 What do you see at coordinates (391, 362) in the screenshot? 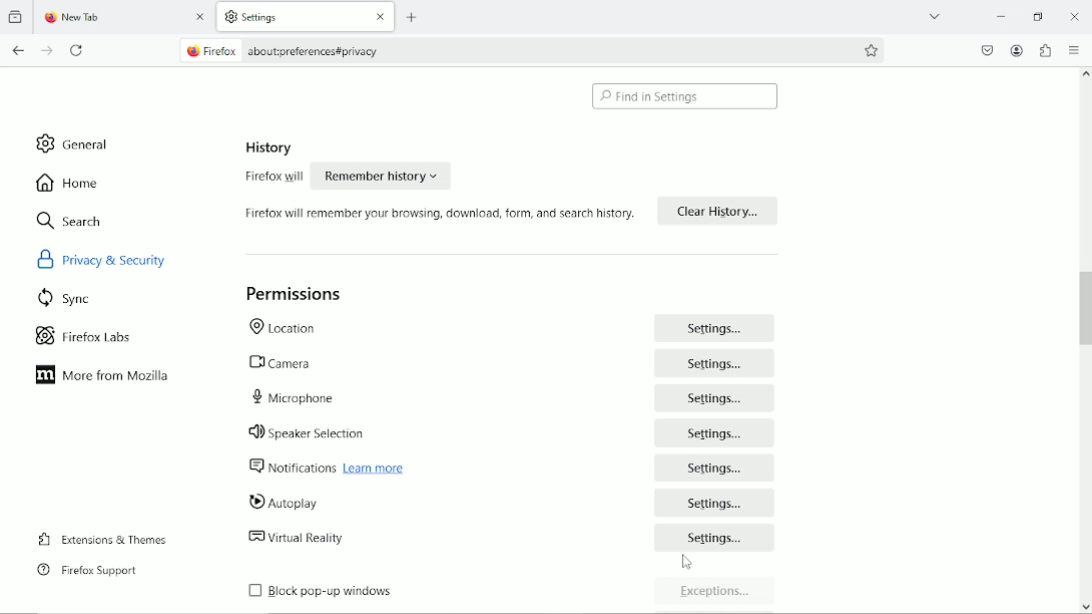
I see `camera` at bounding box center [391, 362].